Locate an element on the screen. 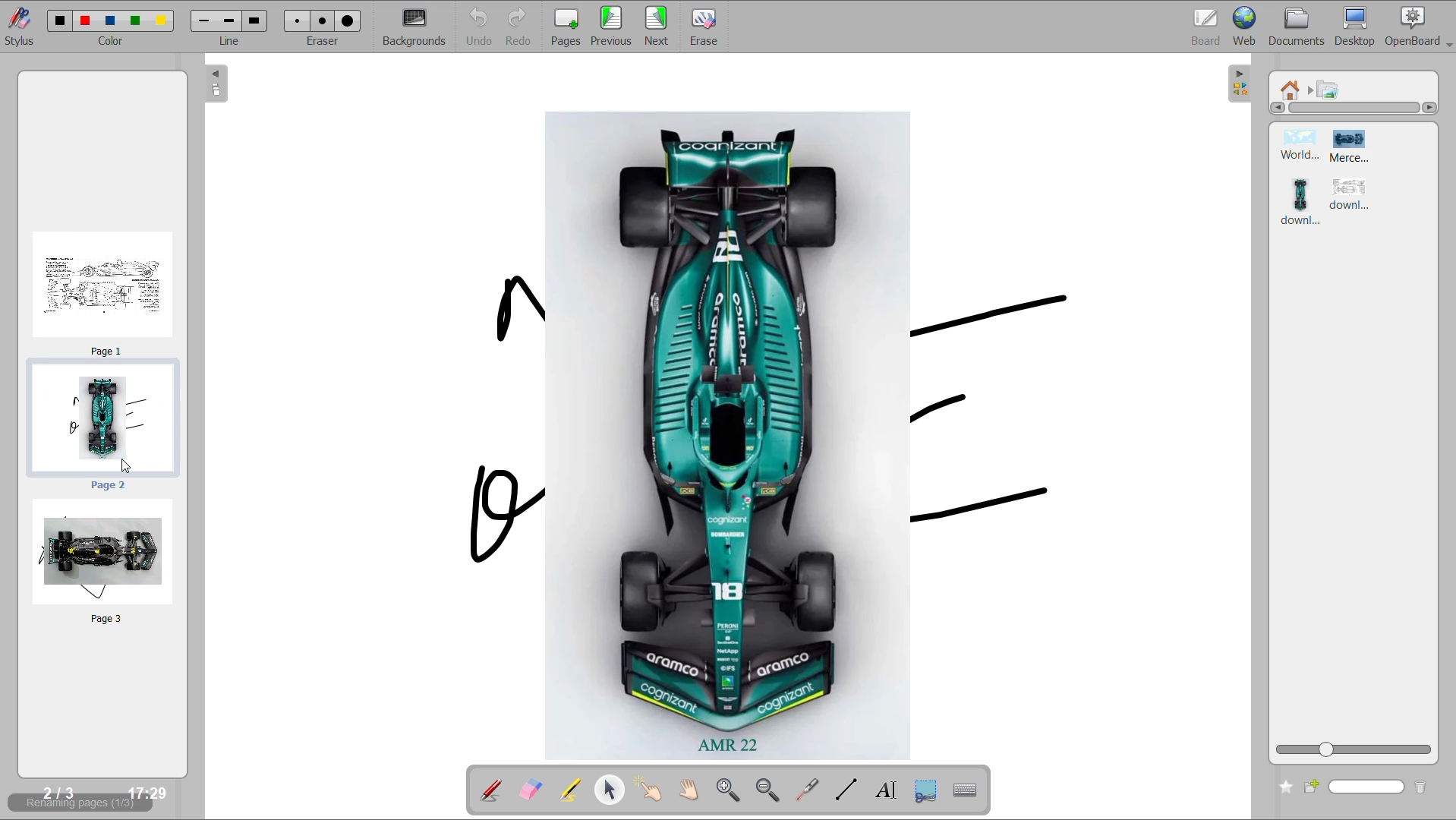 The width and height of the screenshot is (1456, 820). undo is located at coordinates (474, 27).